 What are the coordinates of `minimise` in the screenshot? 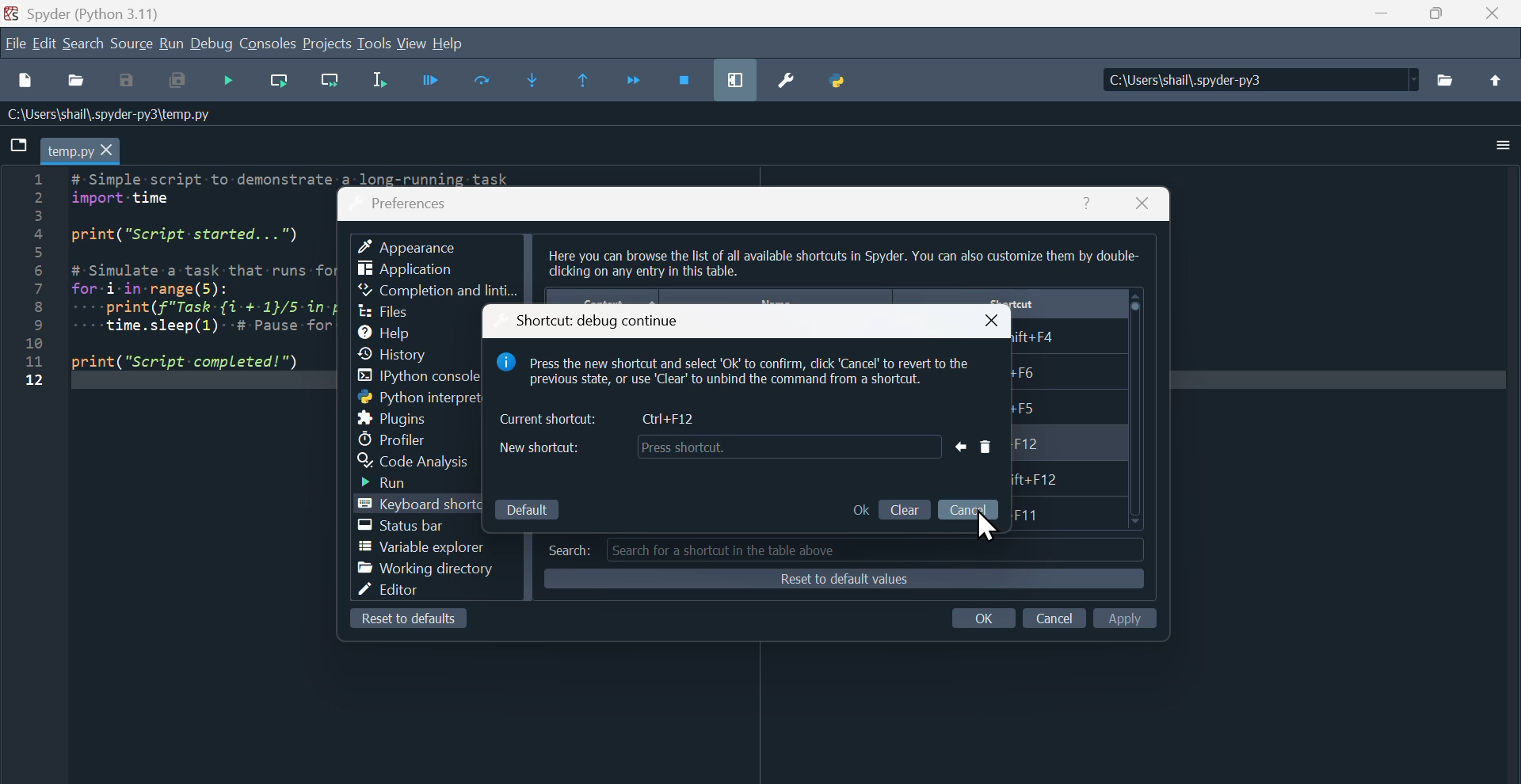 It's located at (1379, 17).